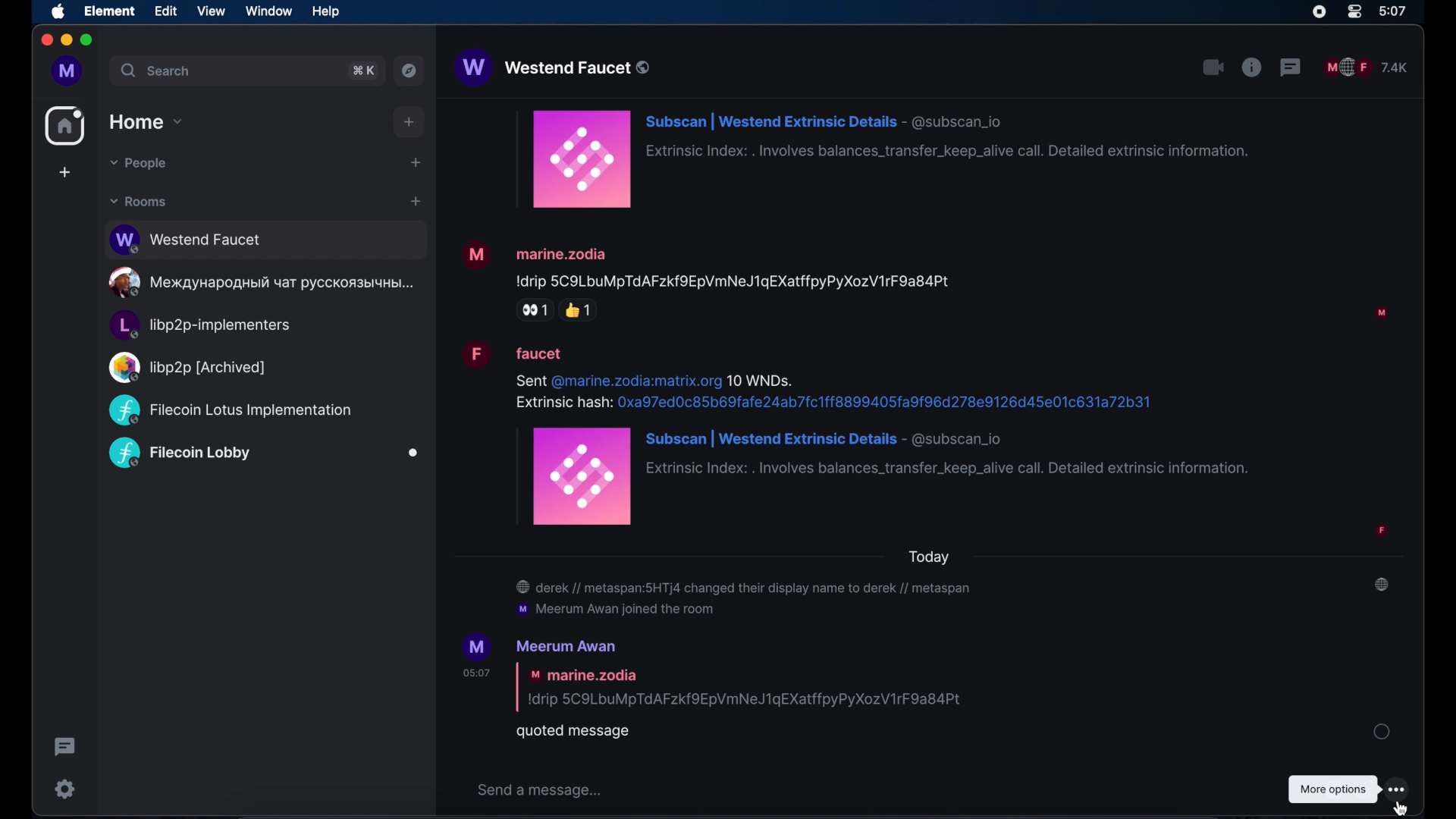 Image resolution: width=1456 pixels, height=819 pixels. What do you see at coordinates (1319, 12) in the screenshot?
I see `screen recorder icon` at bounding box center [1319, 12].